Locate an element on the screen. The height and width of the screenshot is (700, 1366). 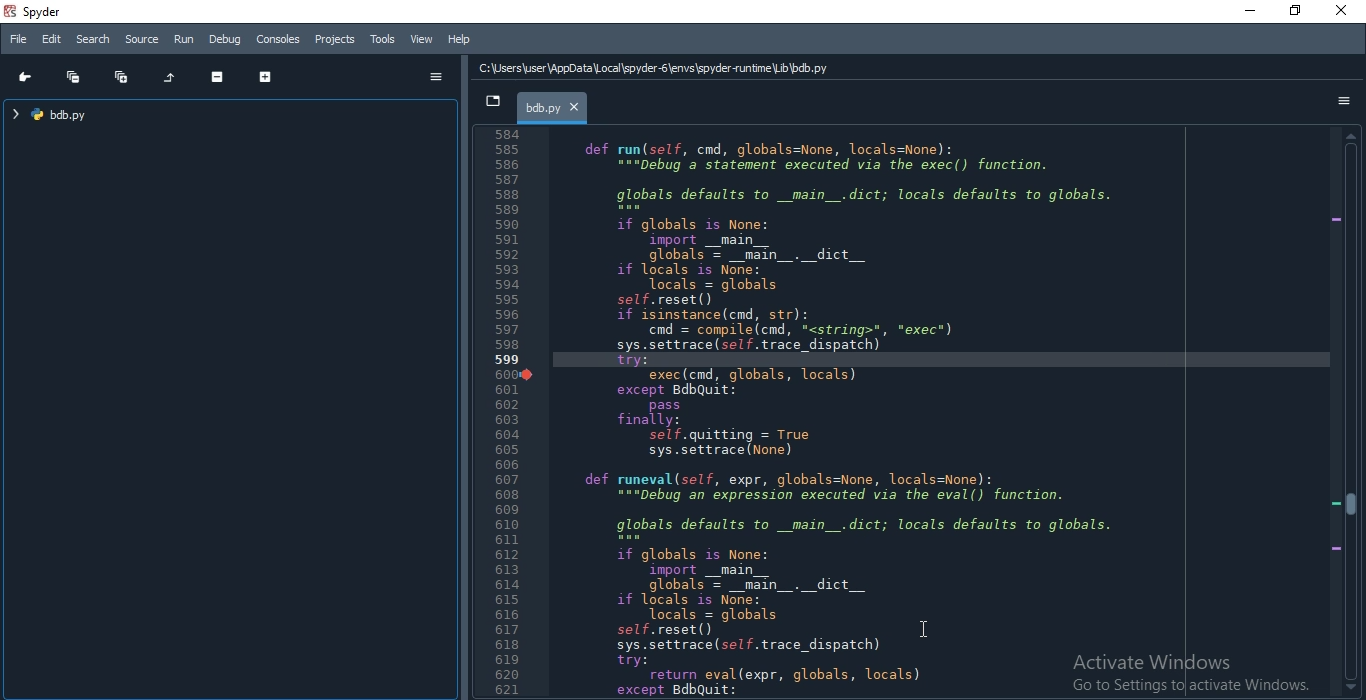
Go to cursor position is located at coordinates (26, 77).